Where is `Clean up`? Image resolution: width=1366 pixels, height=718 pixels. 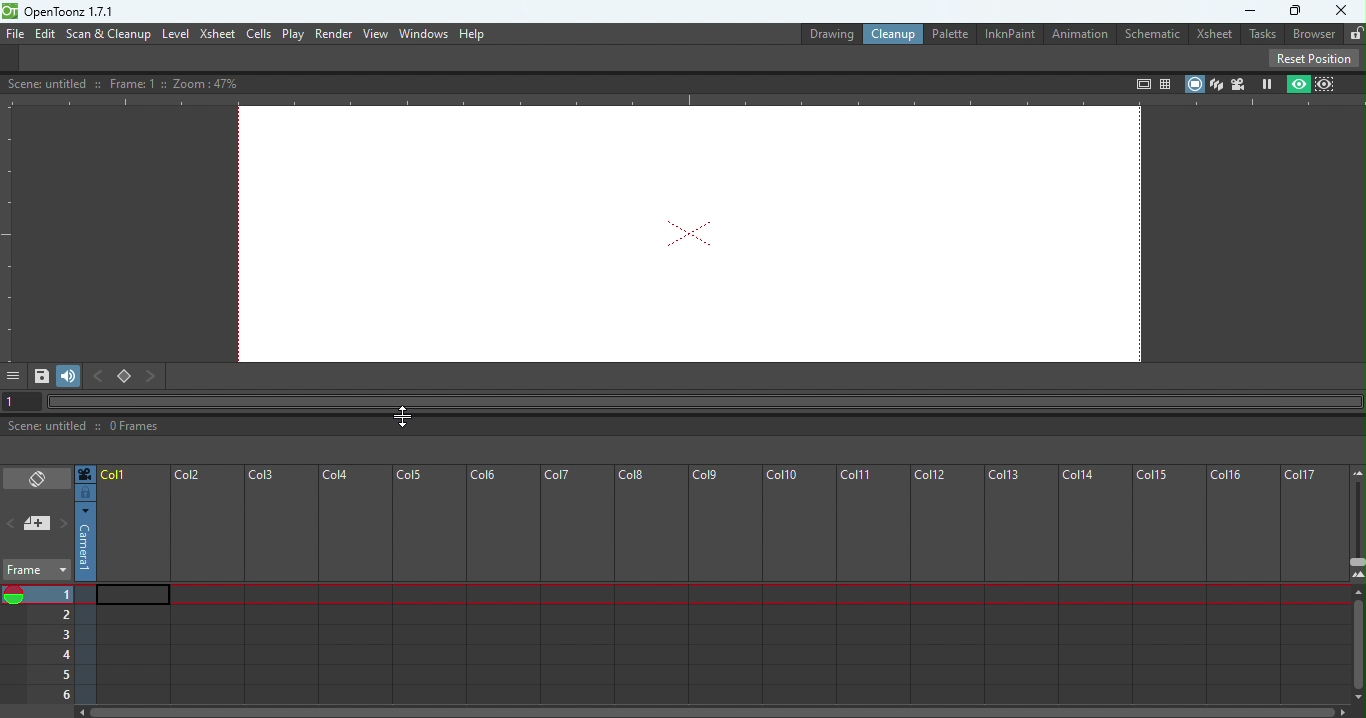
Clean up is located at coordinates (890, 34).